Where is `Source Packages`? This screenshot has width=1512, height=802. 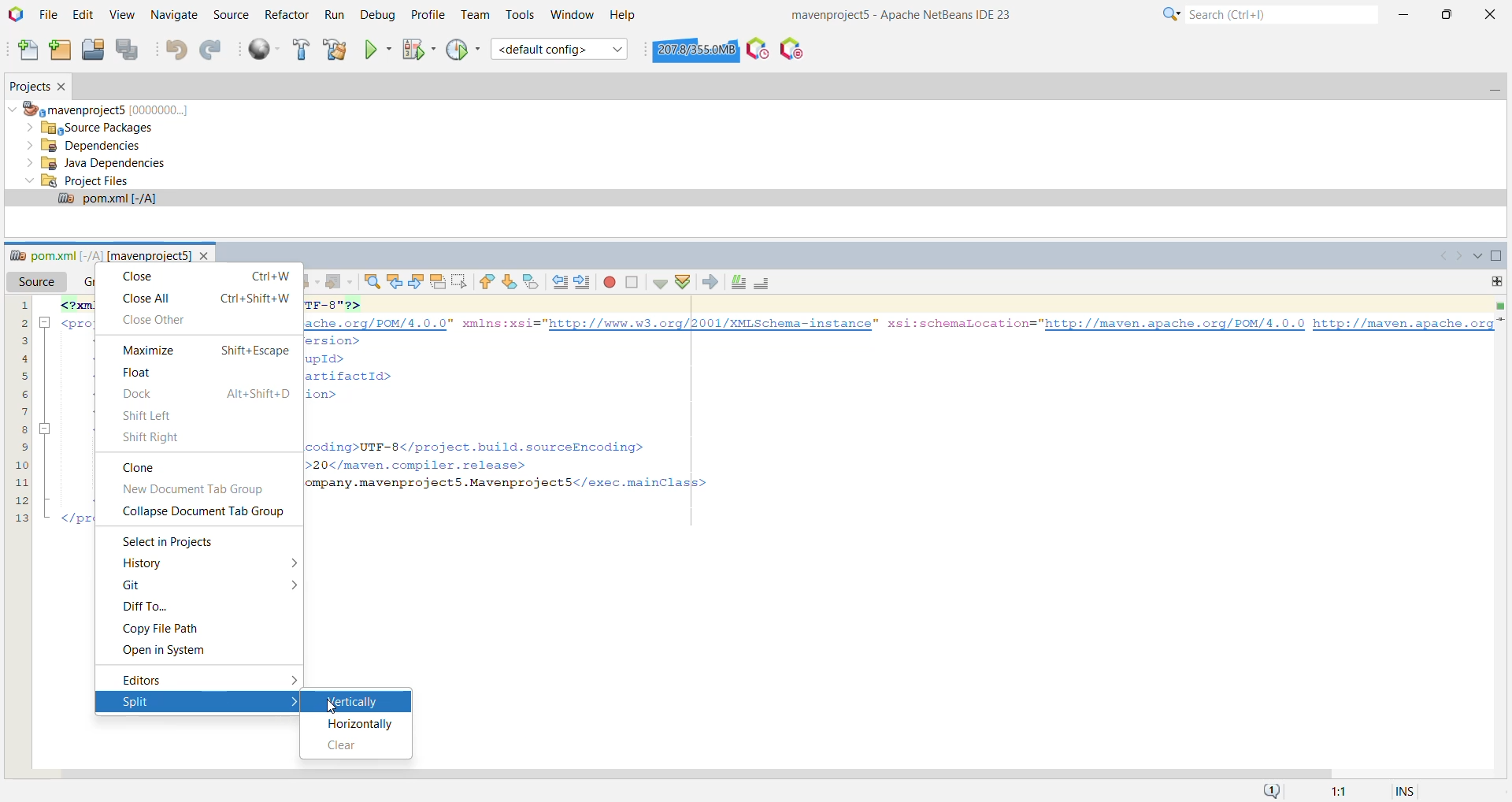
Source Packages is located at coordinates (97, 127).